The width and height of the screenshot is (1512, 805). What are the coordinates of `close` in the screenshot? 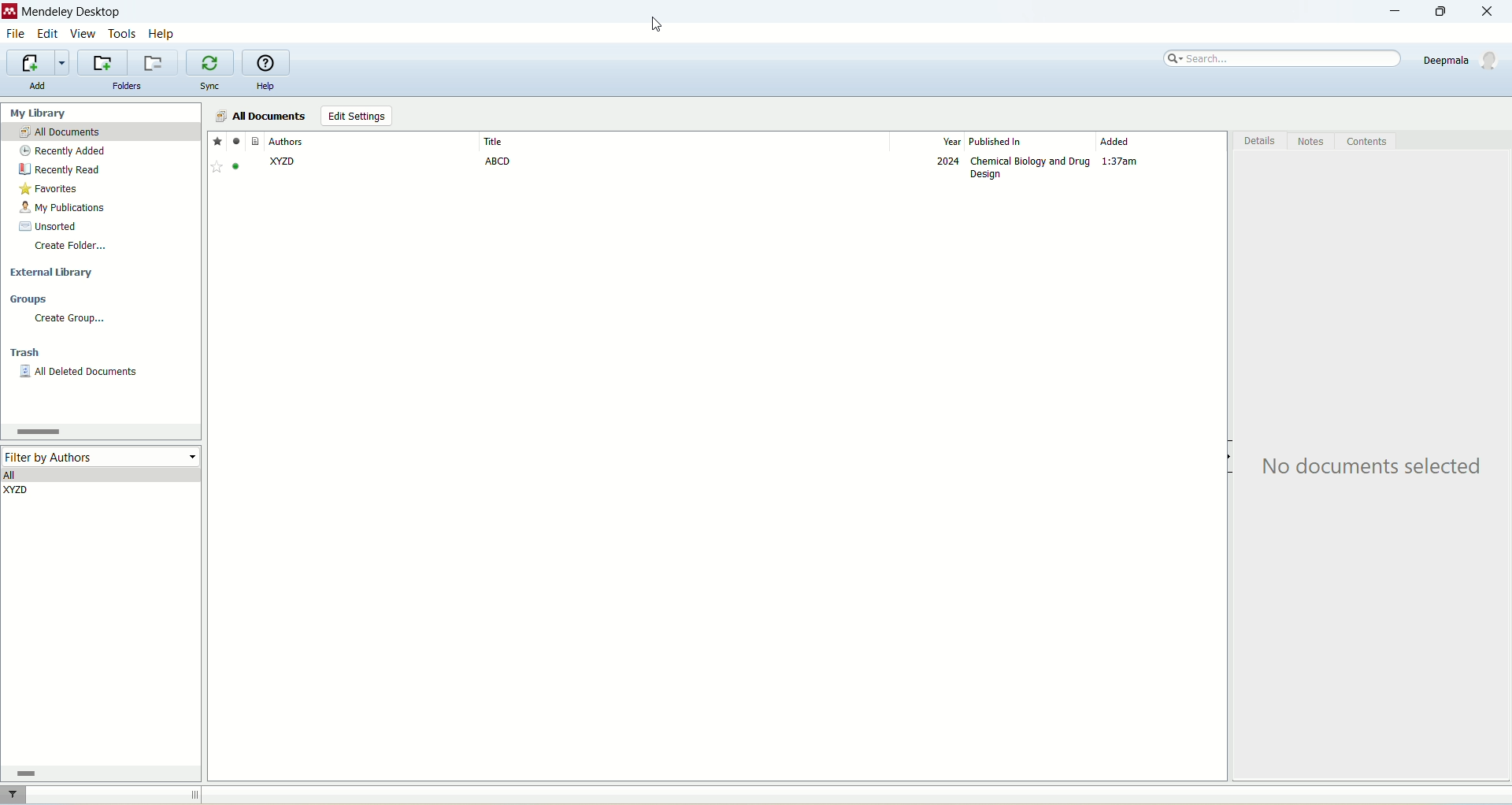 It's located at (1494, 12).